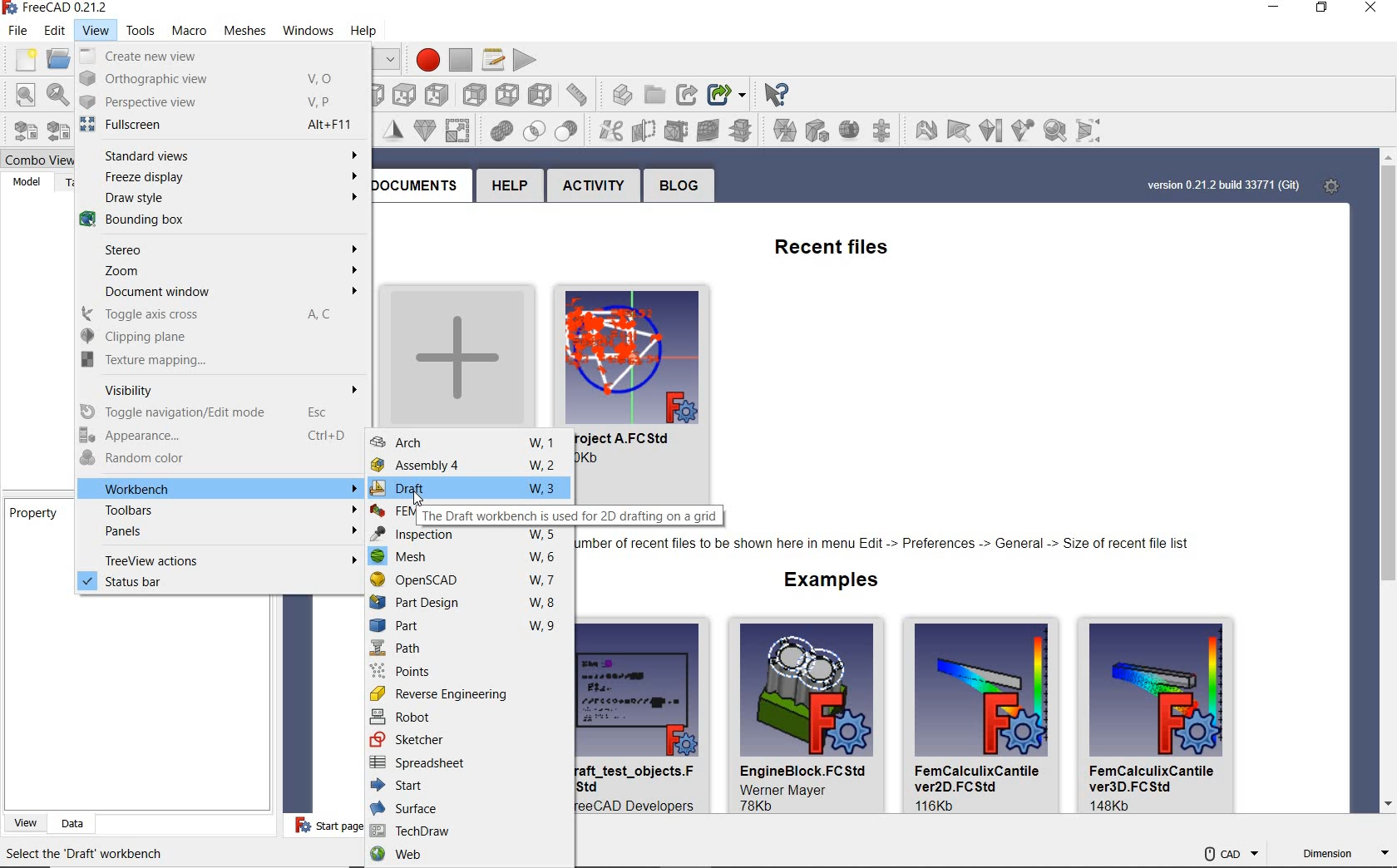  What do you see at coordinates (33, 157) in the screenshot?
I see `combo view` at bounding box center [33, 157].